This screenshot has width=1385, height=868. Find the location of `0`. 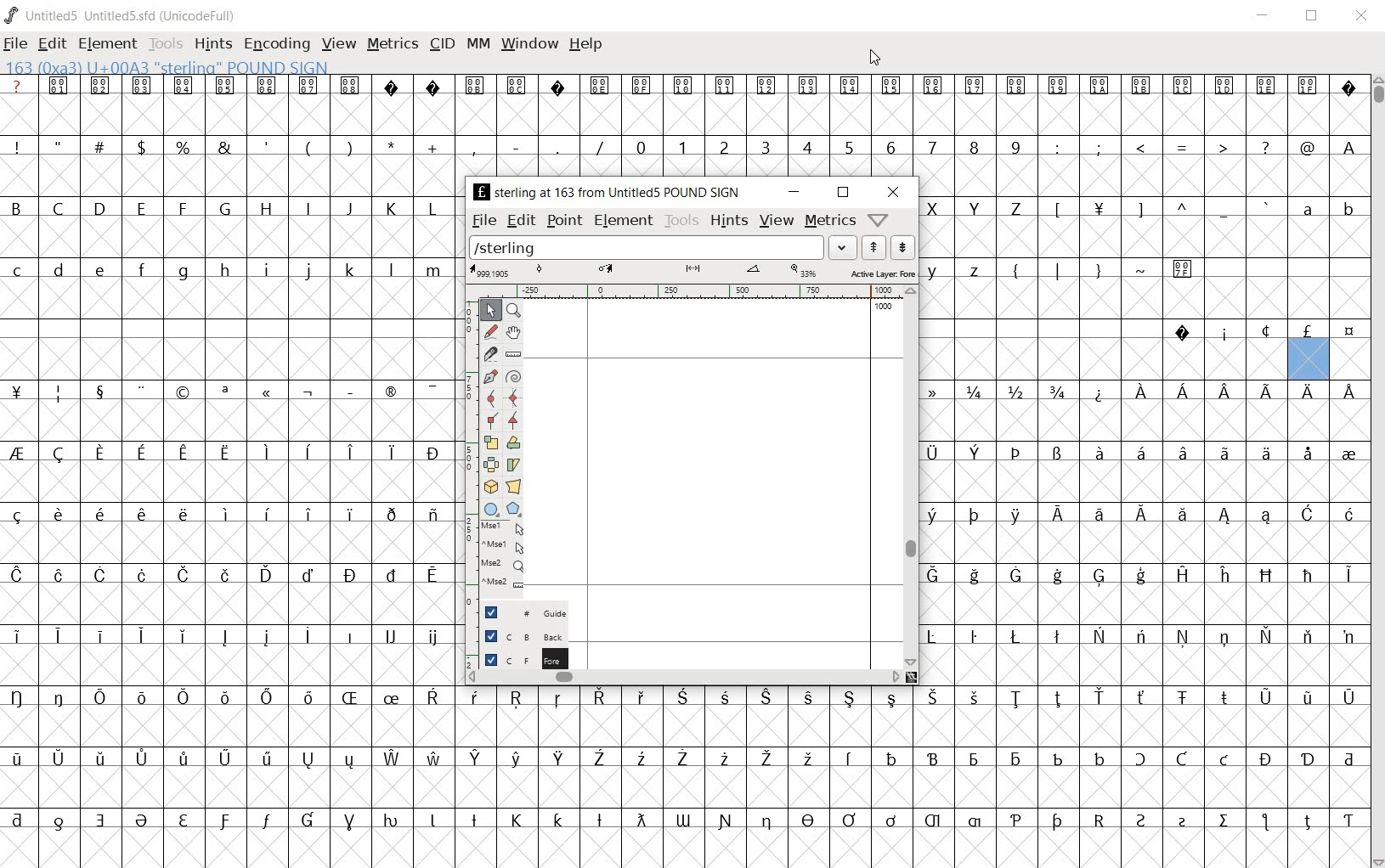

0 is located at coordinates (639, 146).